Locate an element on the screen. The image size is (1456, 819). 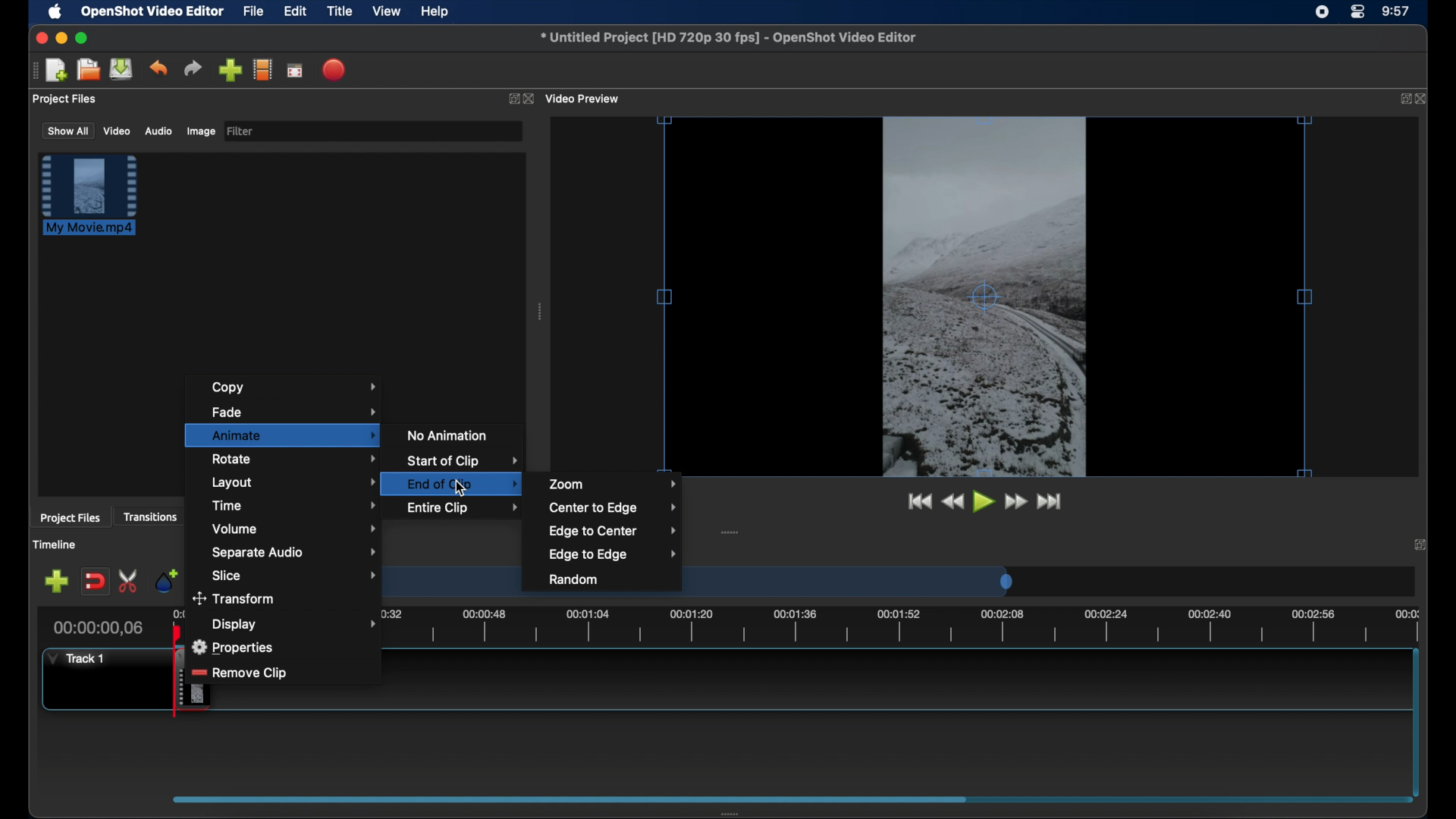
scroll box is located at coordinates (564, 799).